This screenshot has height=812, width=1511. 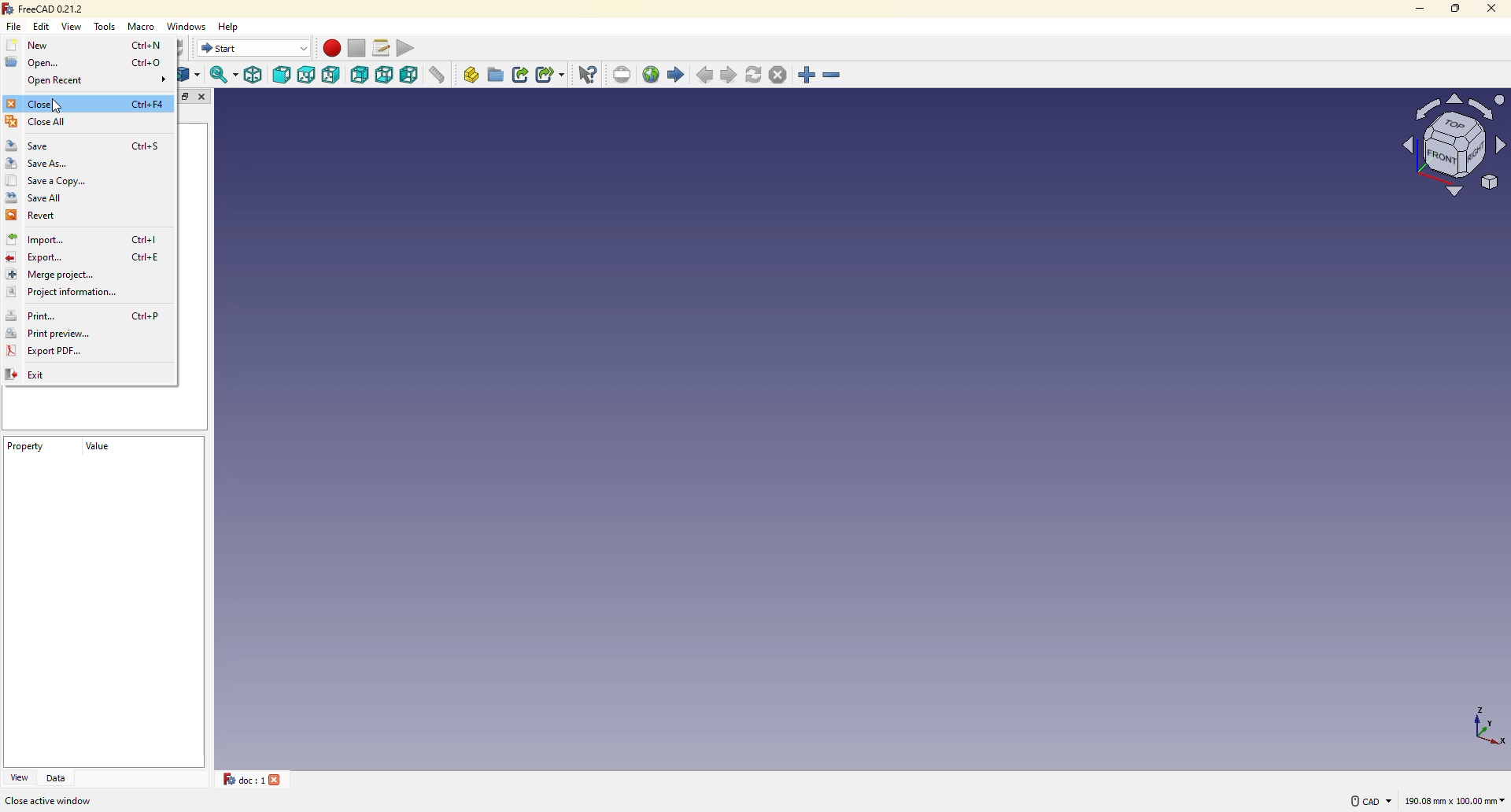 I want to click on project information, so click(x=62, y=293).